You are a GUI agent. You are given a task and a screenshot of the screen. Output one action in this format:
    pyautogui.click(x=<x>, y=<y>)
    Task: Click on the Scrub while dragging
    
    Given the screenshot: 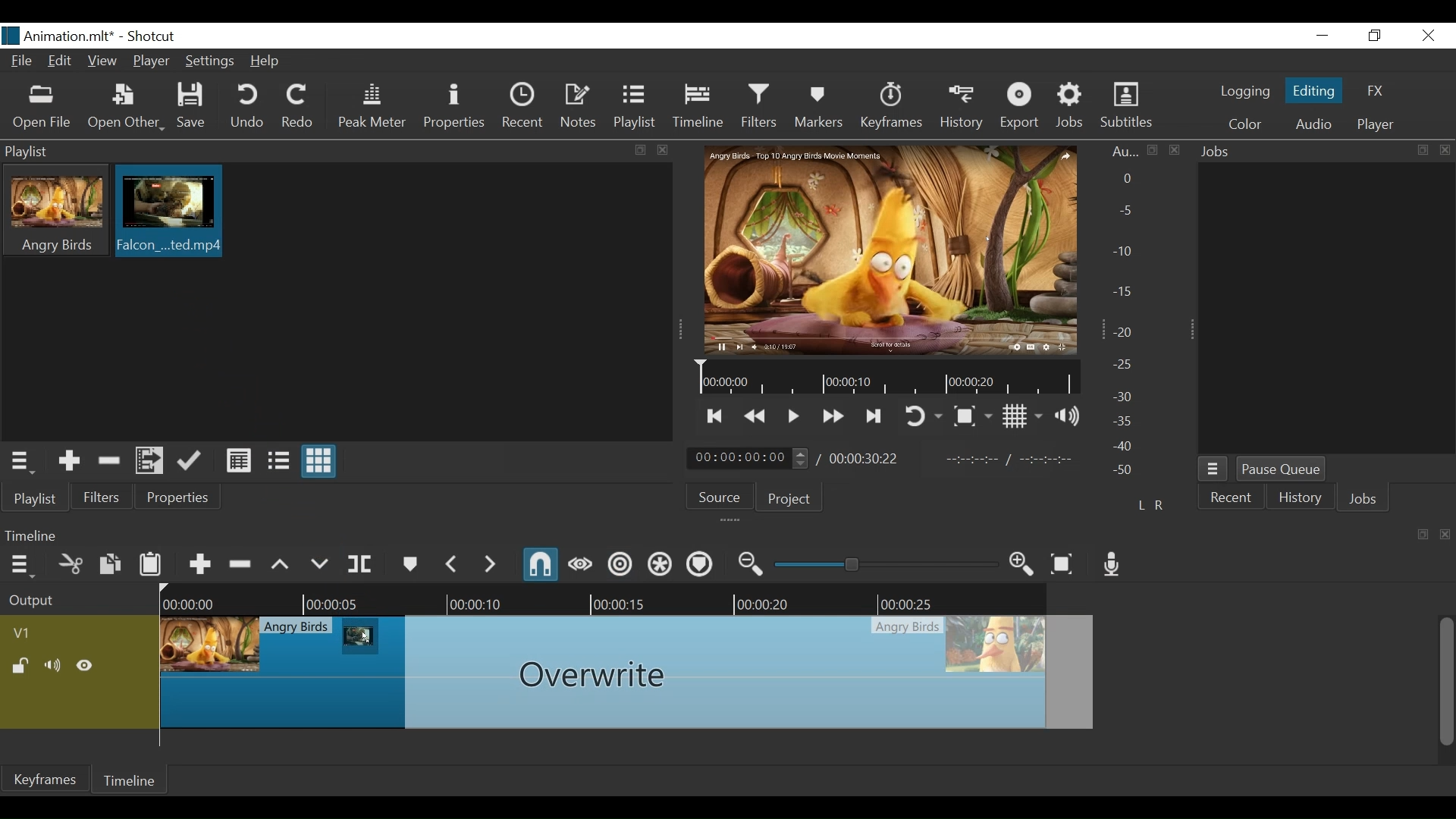 What is the action you would take?
    pyautogui.click(x=580, y=565)
    